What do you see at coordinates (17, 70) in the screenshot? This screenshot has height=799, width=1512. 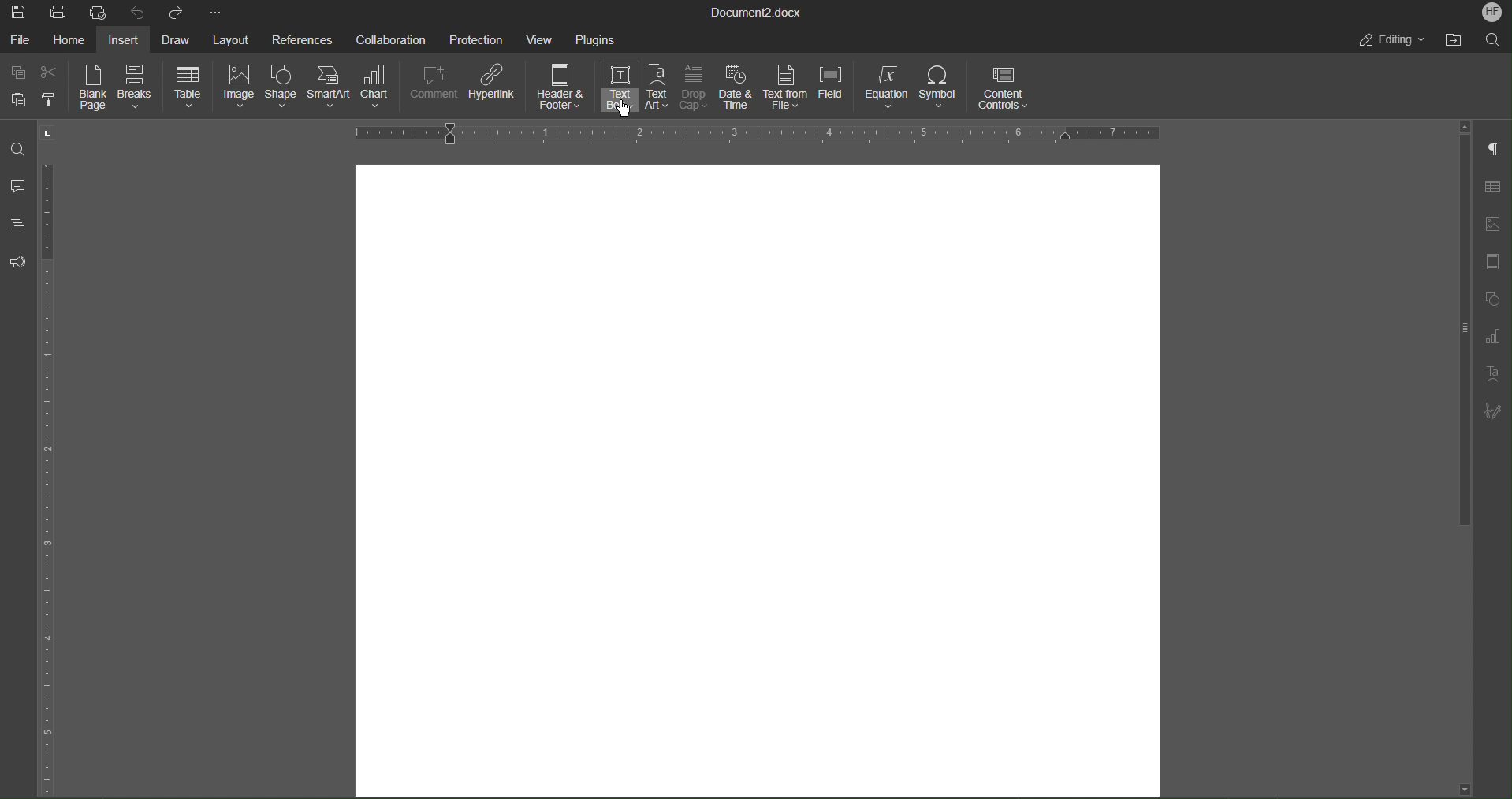 I see `Copy` at bounding box center [17, 70].